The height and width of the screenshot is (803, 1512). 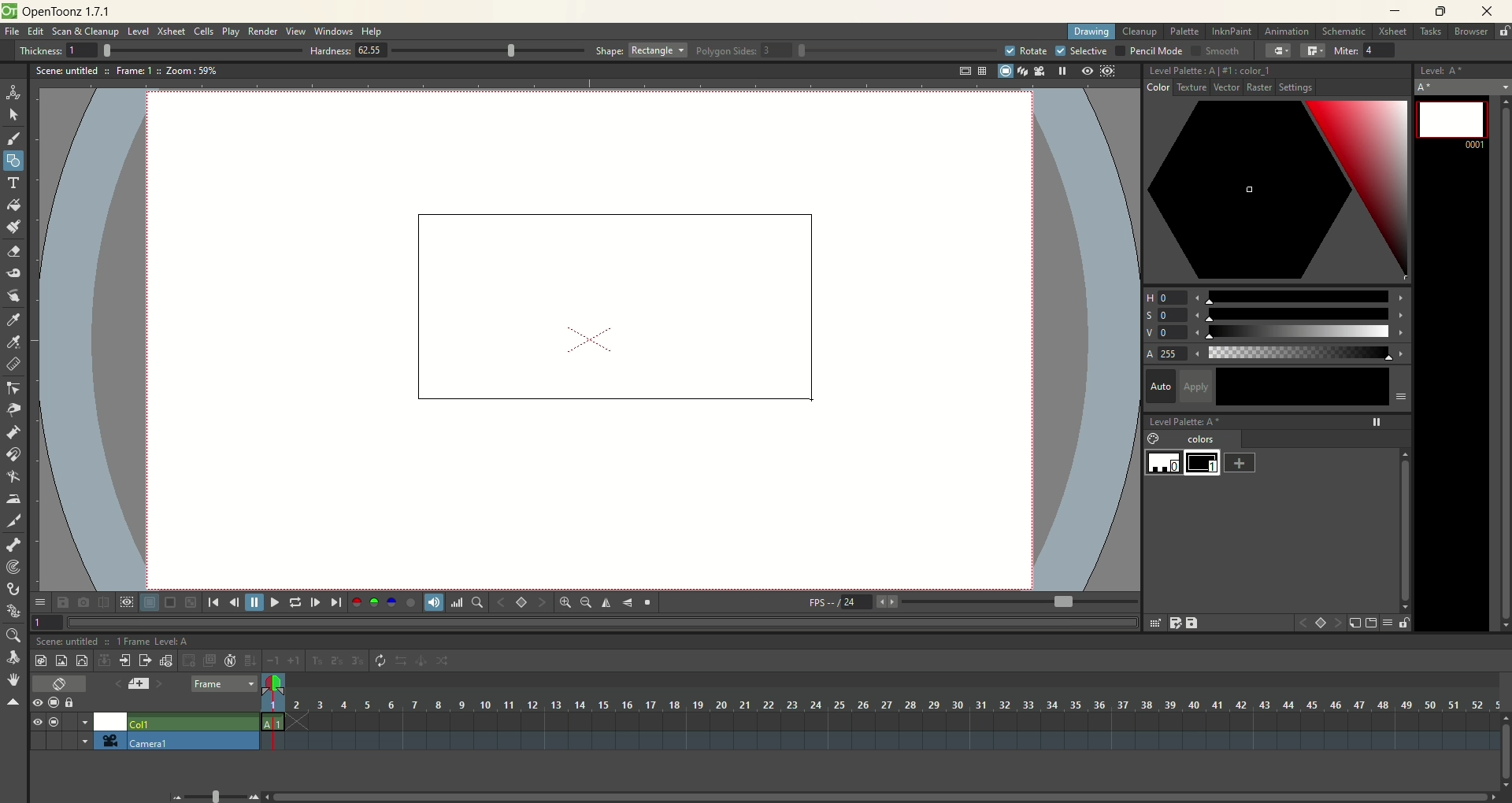 What do you see at coordinates (13, 679) in the screenshot?
I see `hand` at bounding box center [13, 679].